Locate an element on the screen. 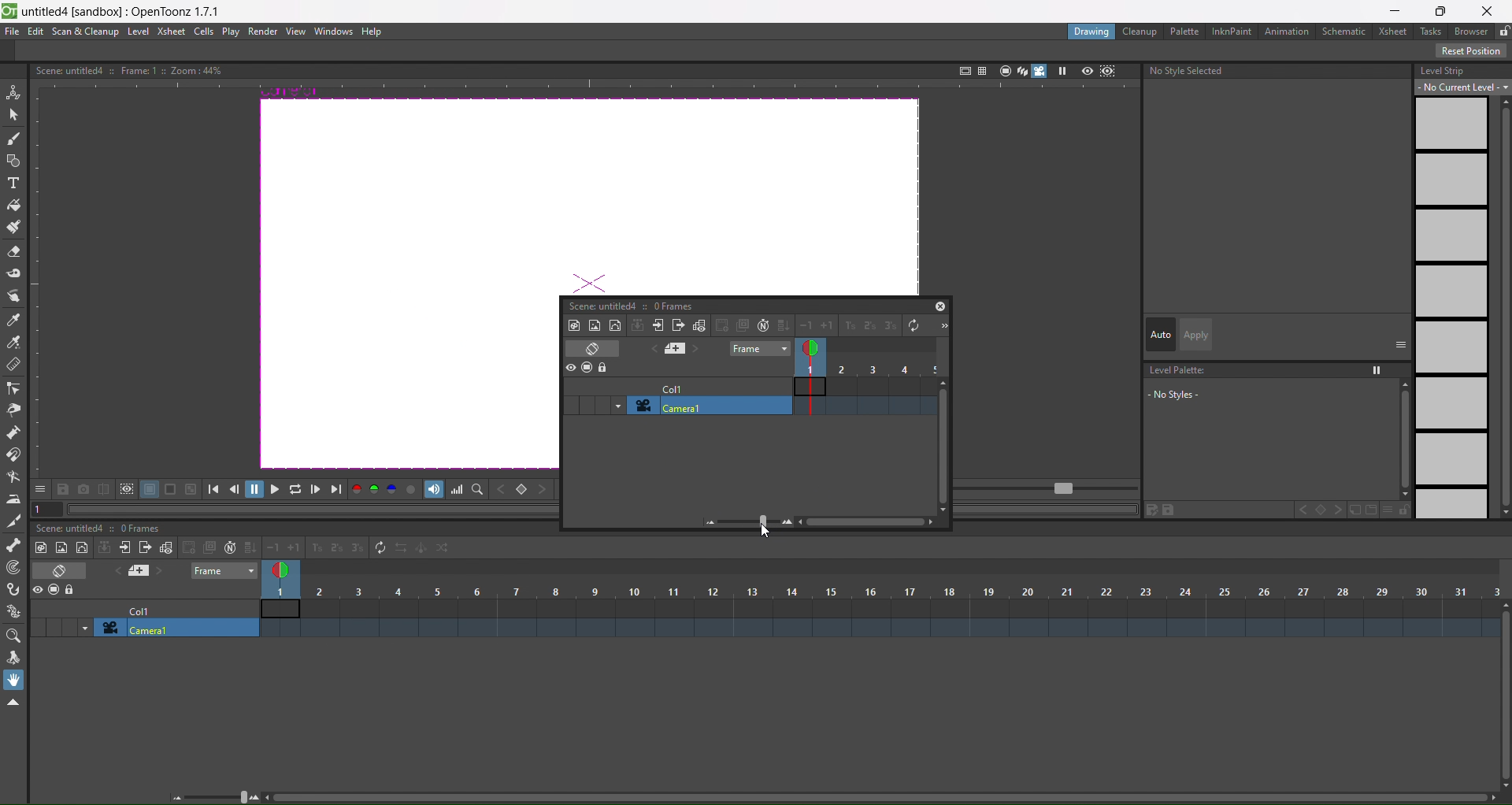 This screenshot has height=805, width=1512. hook tool is located at coordinates (15, 590).